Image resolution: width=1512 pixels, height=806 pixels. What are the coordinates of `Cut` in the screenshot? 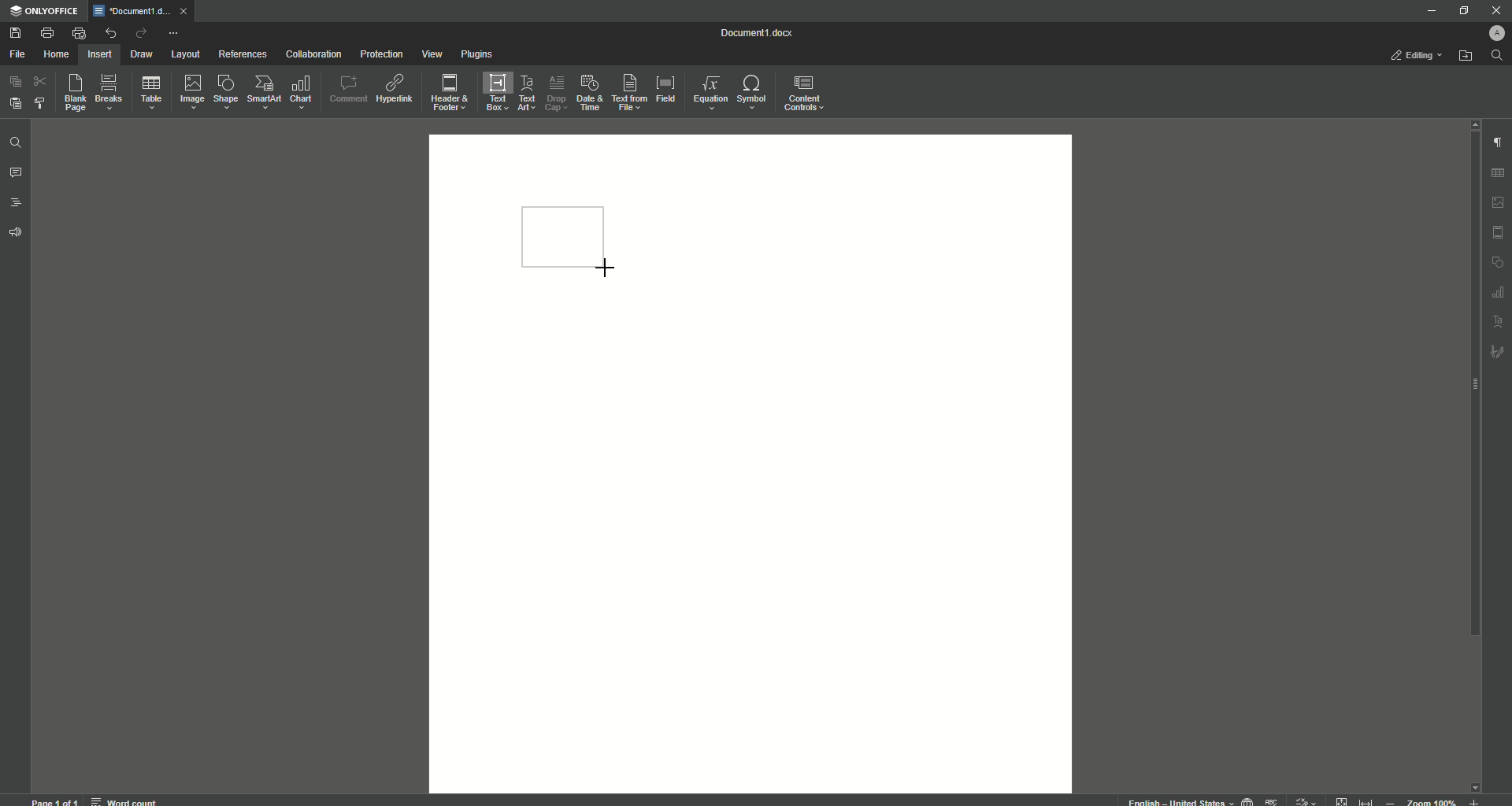 It's located at (42, 80).